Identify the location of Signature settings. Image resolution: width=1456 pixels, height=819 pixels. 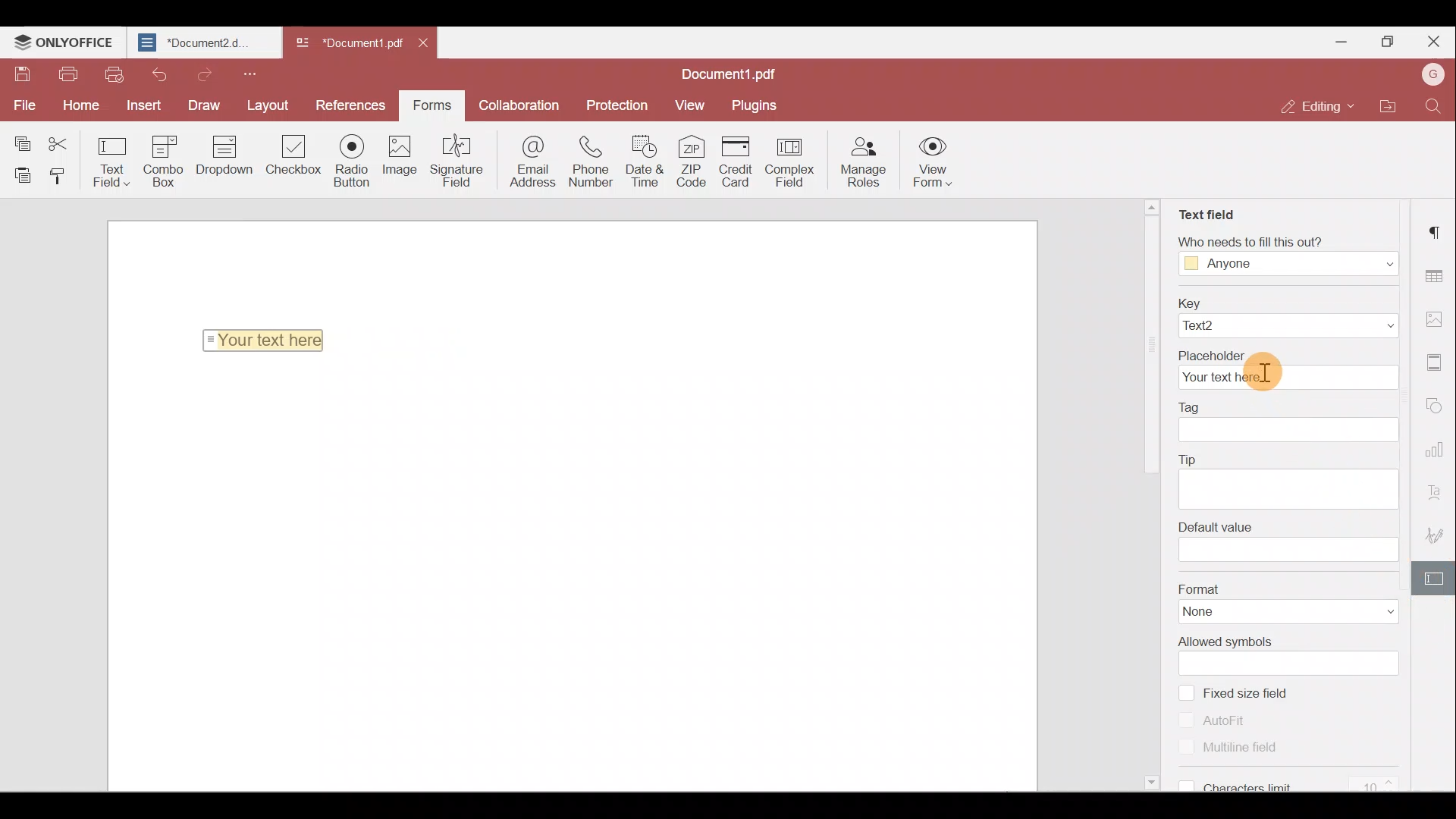
(1438, 532).